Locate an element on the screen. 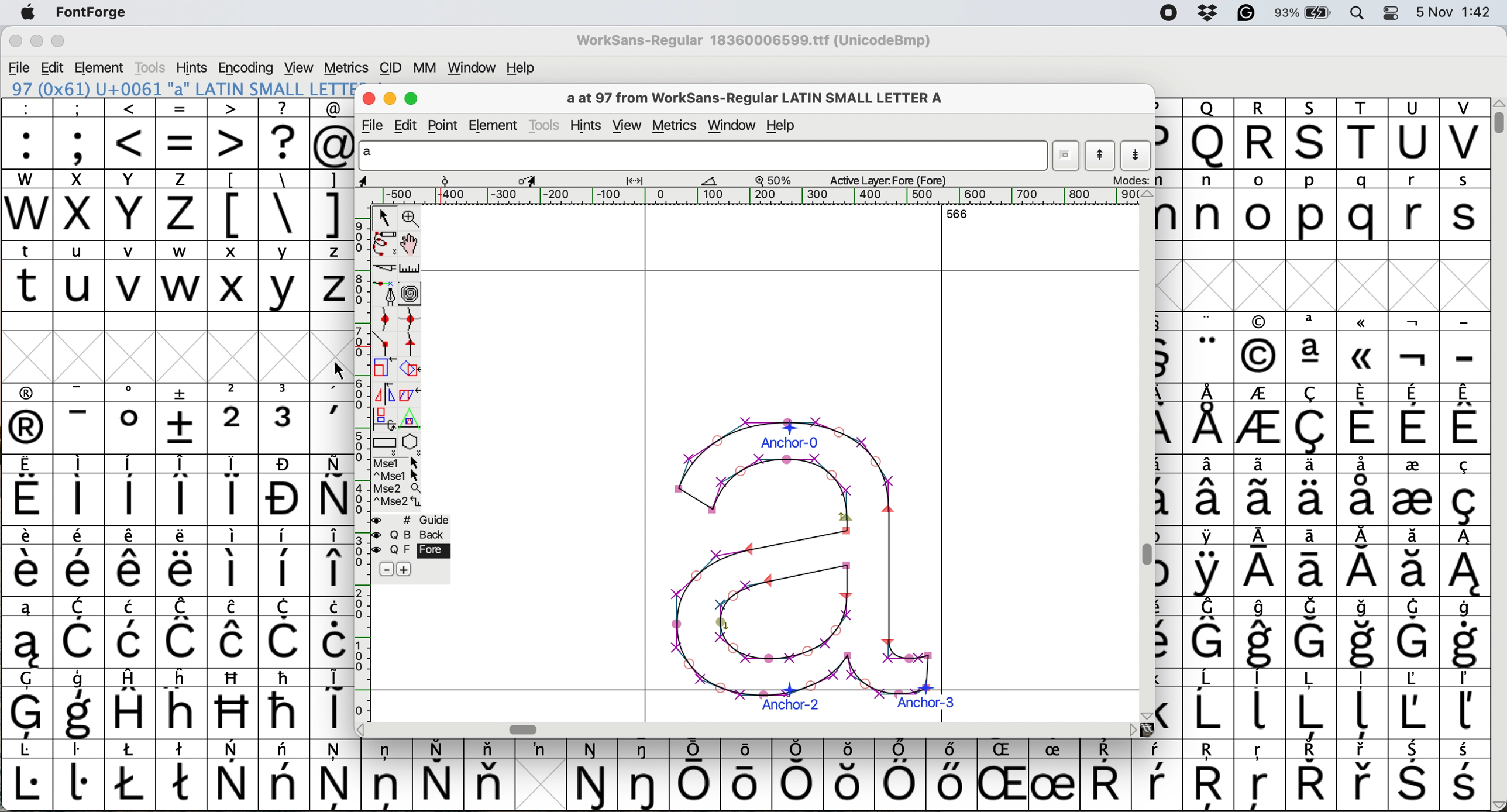  symbol is located at coordinates (1105, 776).